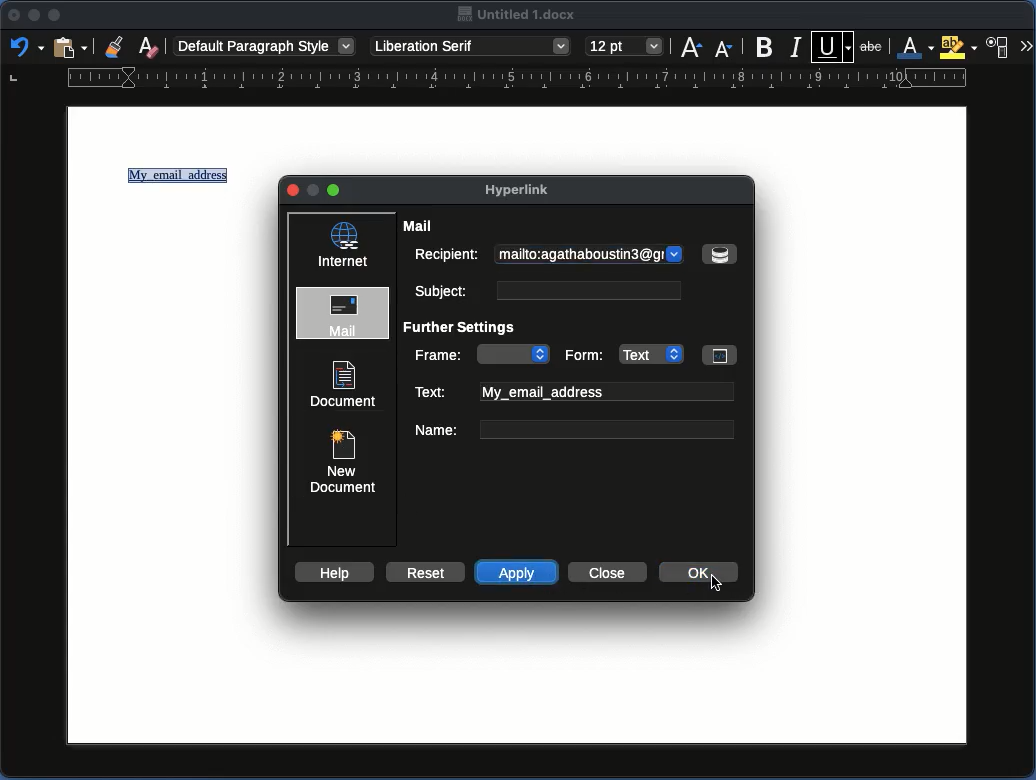 Image resolution: width=1036 pixels, height=780 pixels. Describe the element at coordinates (605, 572) in the screenshot. I see `Close` at that location.